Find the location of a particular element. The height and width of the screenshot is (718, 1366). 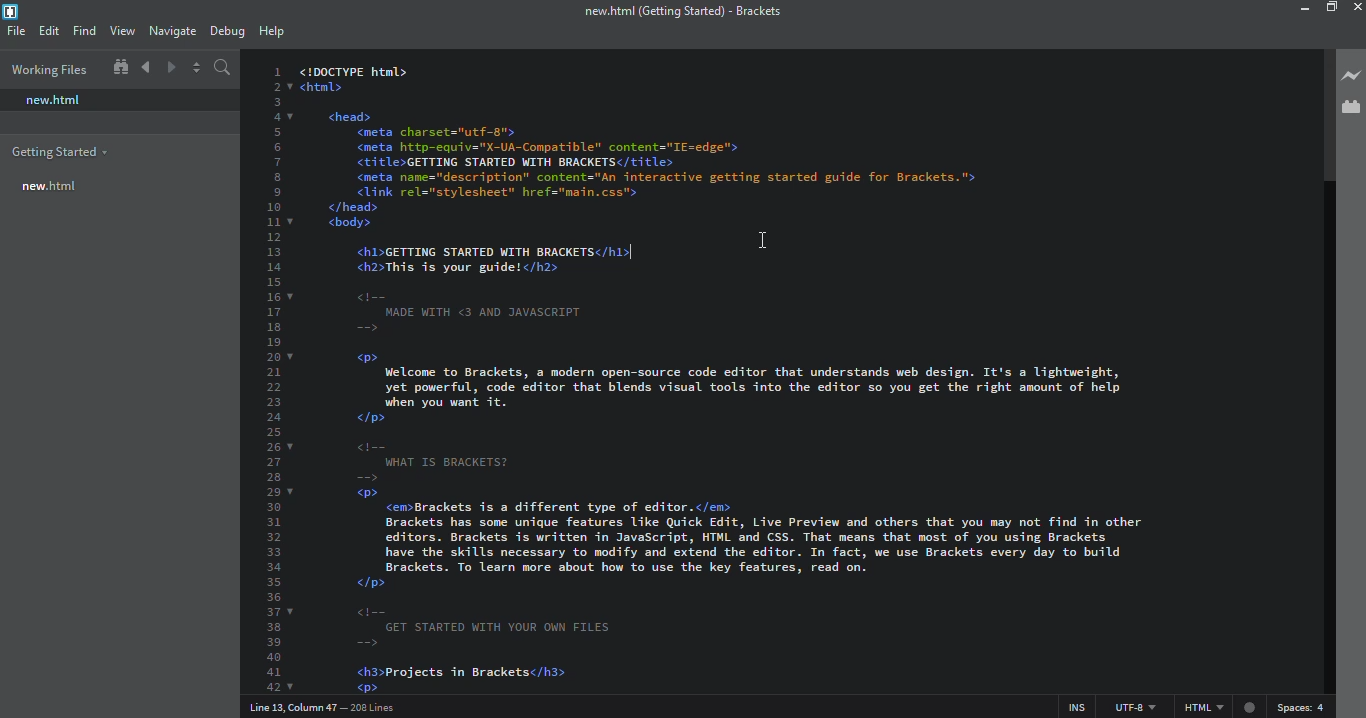

view is located at coordinates (122, 31).